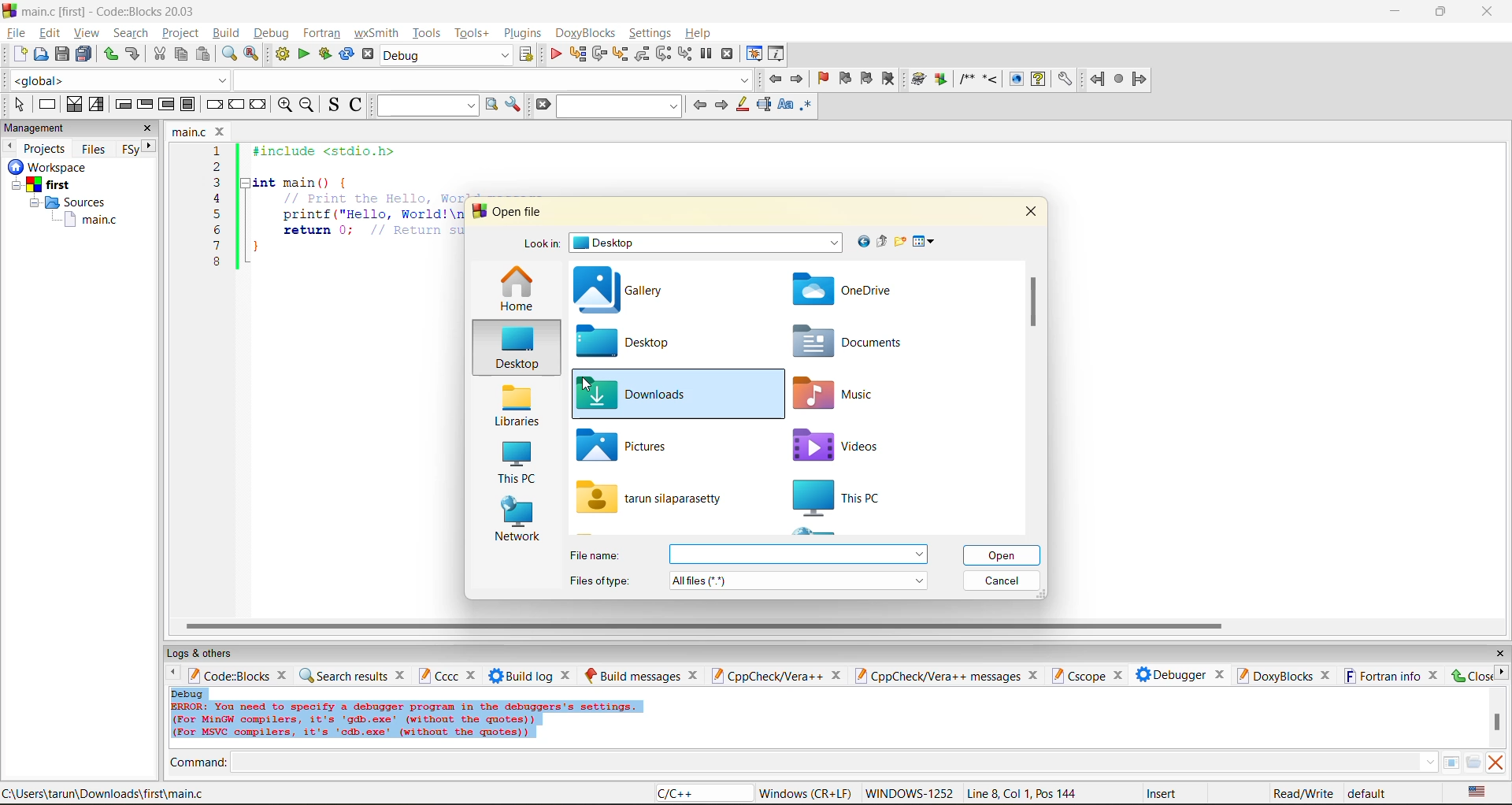 Image resolution: width=1512 pixels, height=805 pixels. What do you see at coordinates (222, 132) in the screenshot?
I see `close` at bounding box center [222, 132].